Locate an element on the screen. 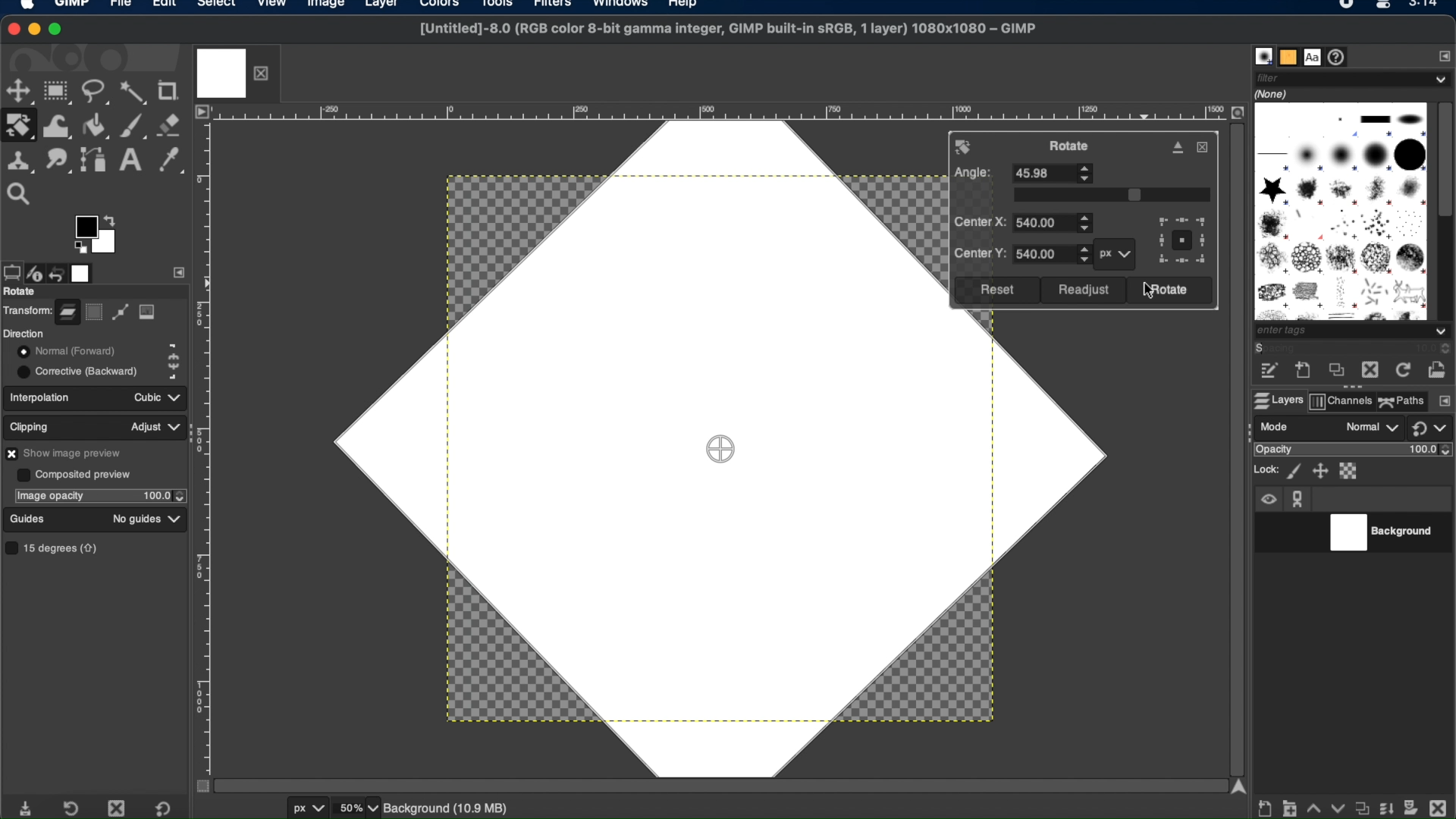 The image size is (1456, 819). tags dropdown is located at coordinates (1354, 332).